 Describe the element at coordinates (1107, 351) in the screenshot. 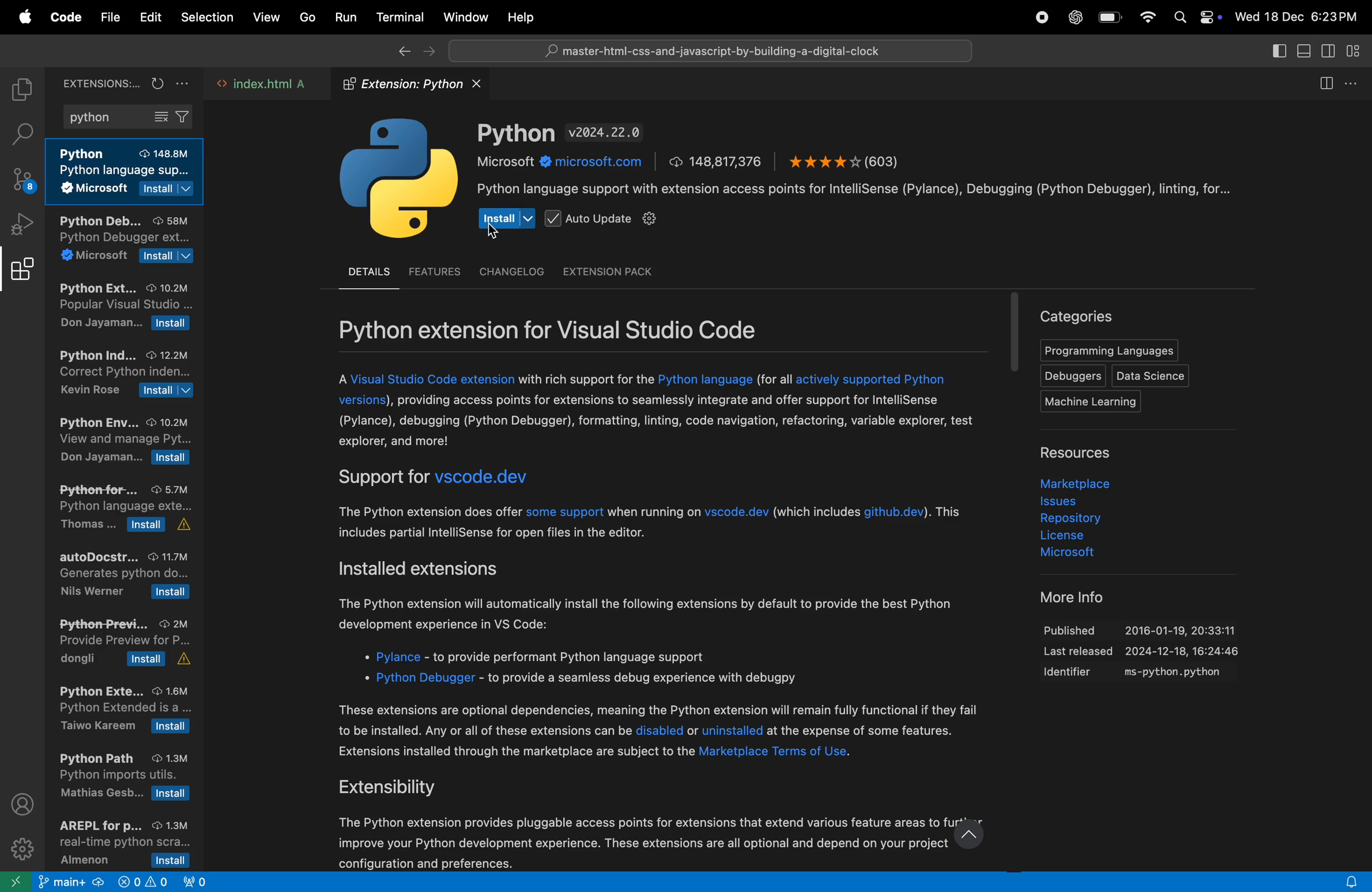

I see `programming languages` at that location.